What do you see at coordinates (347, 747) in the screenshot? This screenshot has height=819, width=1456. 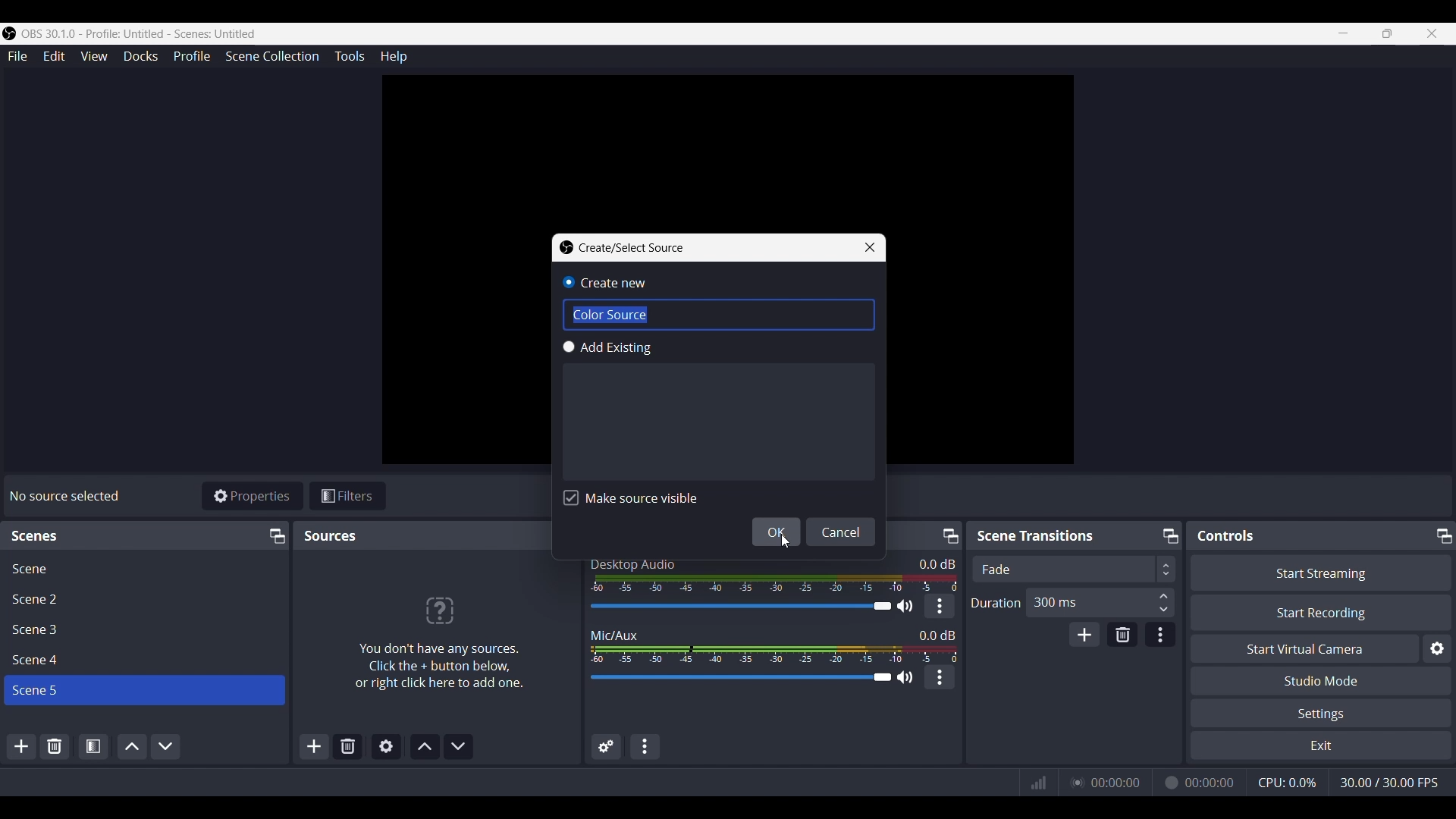 I see `Remove Selected Sources` at bounding box center [347, 747].